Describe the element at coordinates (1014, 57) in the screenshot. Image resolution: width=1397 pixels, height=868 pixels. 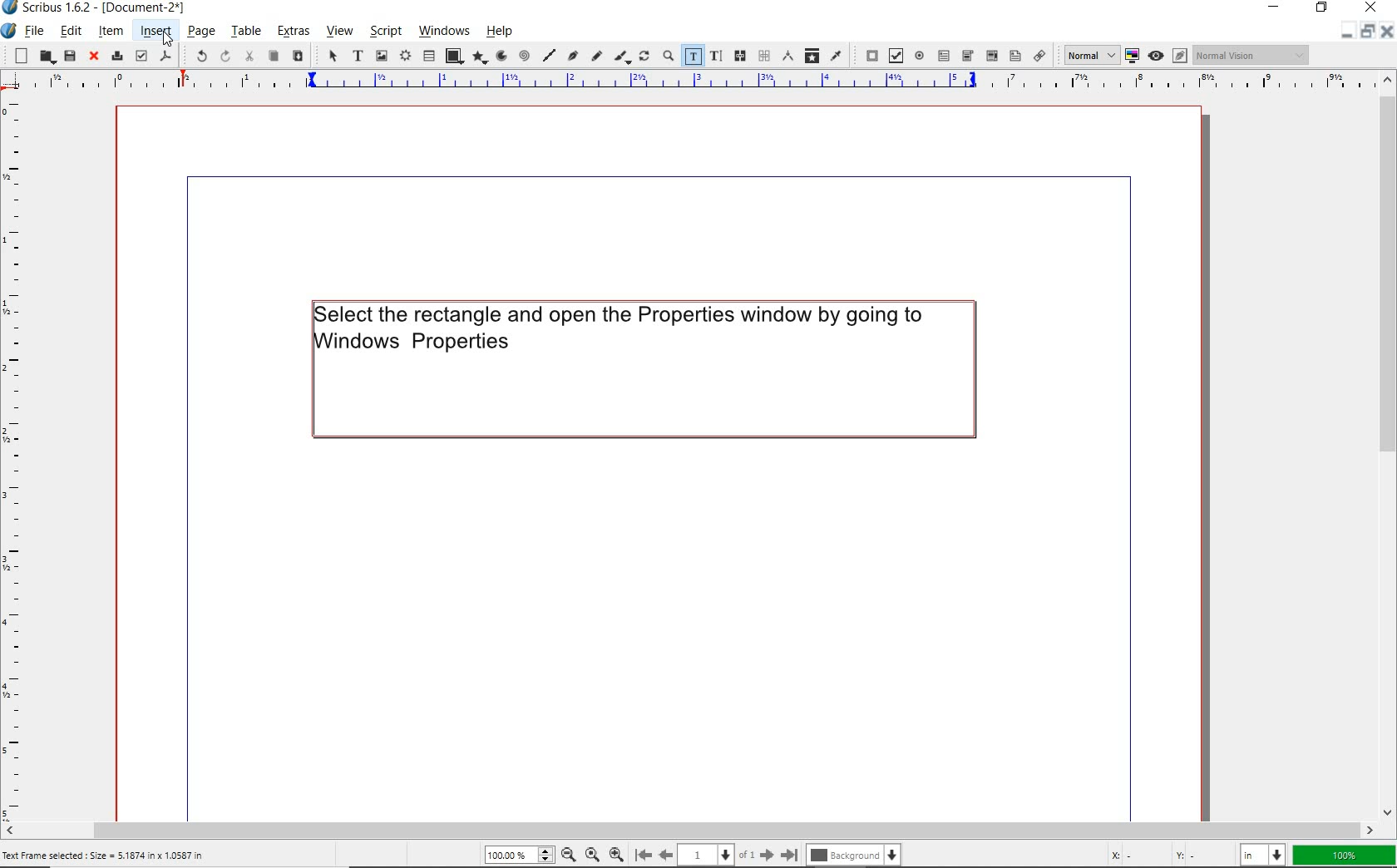
I see `Text annotation` at that location.